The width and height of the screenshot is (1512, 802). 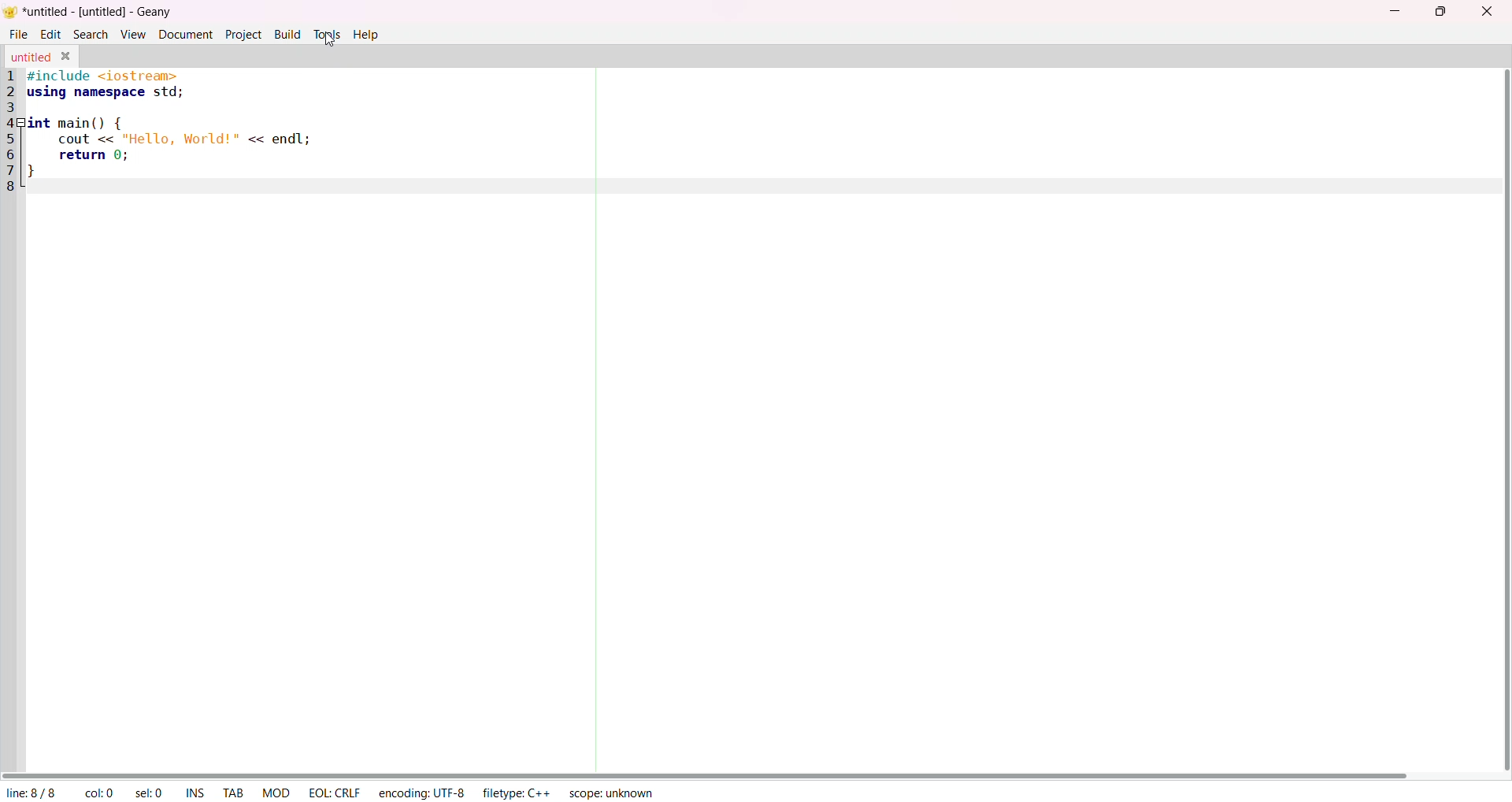 What do you see at coordinates (332, 793) in the screenshot?
I see `EOL: CRLF` at bounding box center [332, 793].